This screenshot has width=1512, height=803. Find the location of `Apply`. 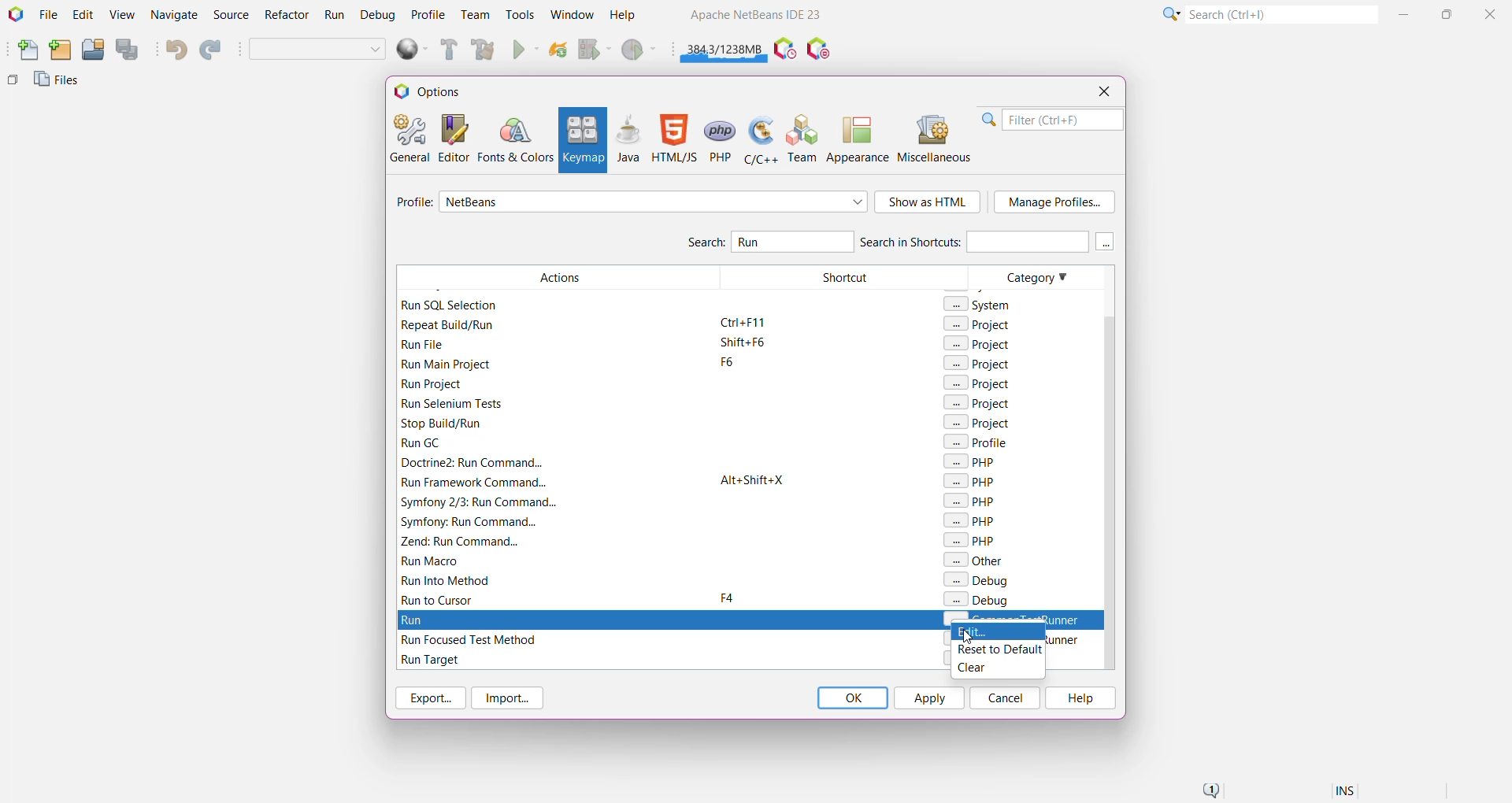

Apply is located at coordinates (928, 698).